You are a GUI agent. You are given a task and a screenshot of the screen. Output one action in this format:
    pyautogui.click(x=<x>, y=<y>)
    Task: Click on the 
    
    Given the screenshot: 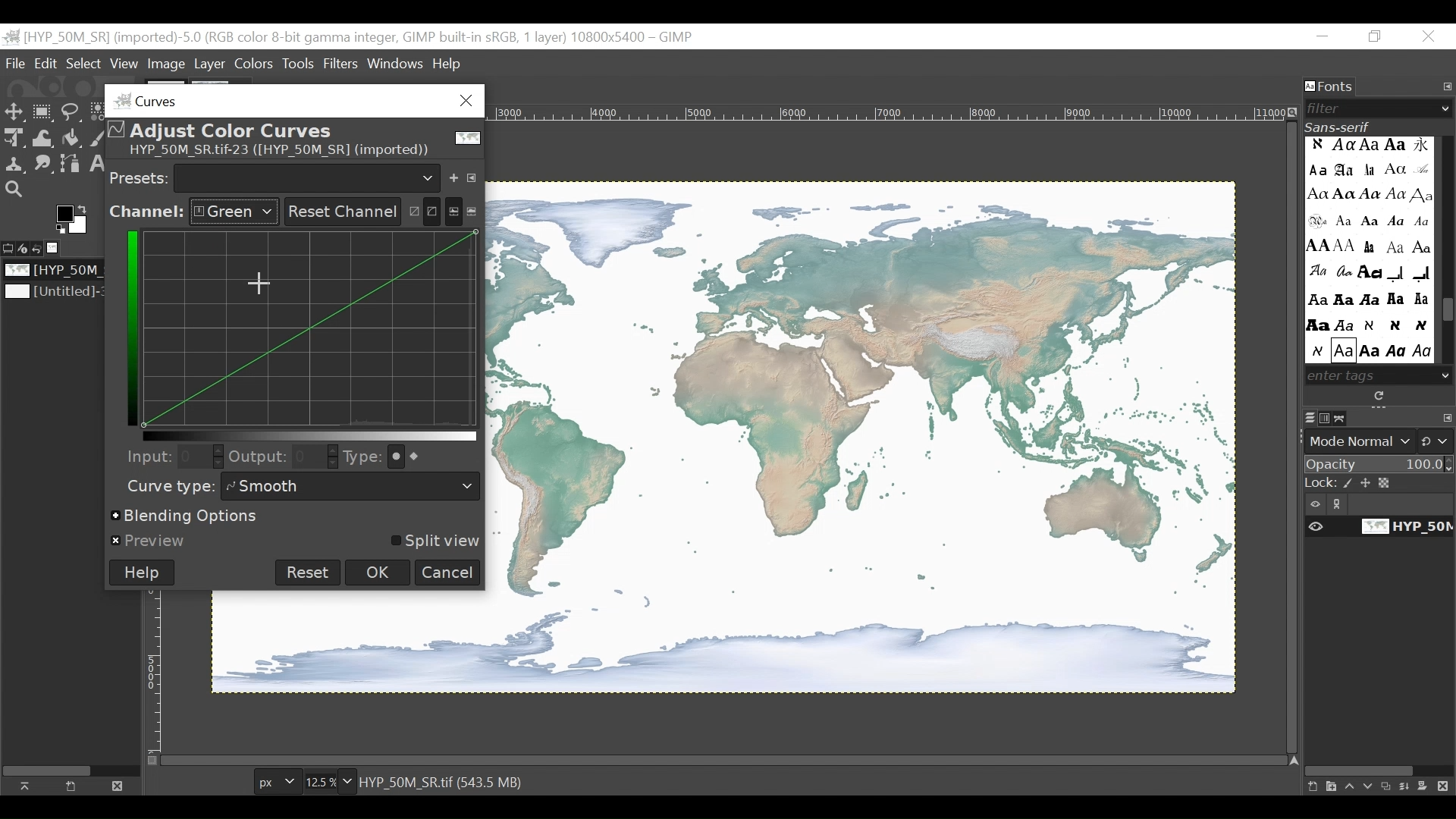 What is the action you would take?
    pyautogui.click(x=210, y=64)
    